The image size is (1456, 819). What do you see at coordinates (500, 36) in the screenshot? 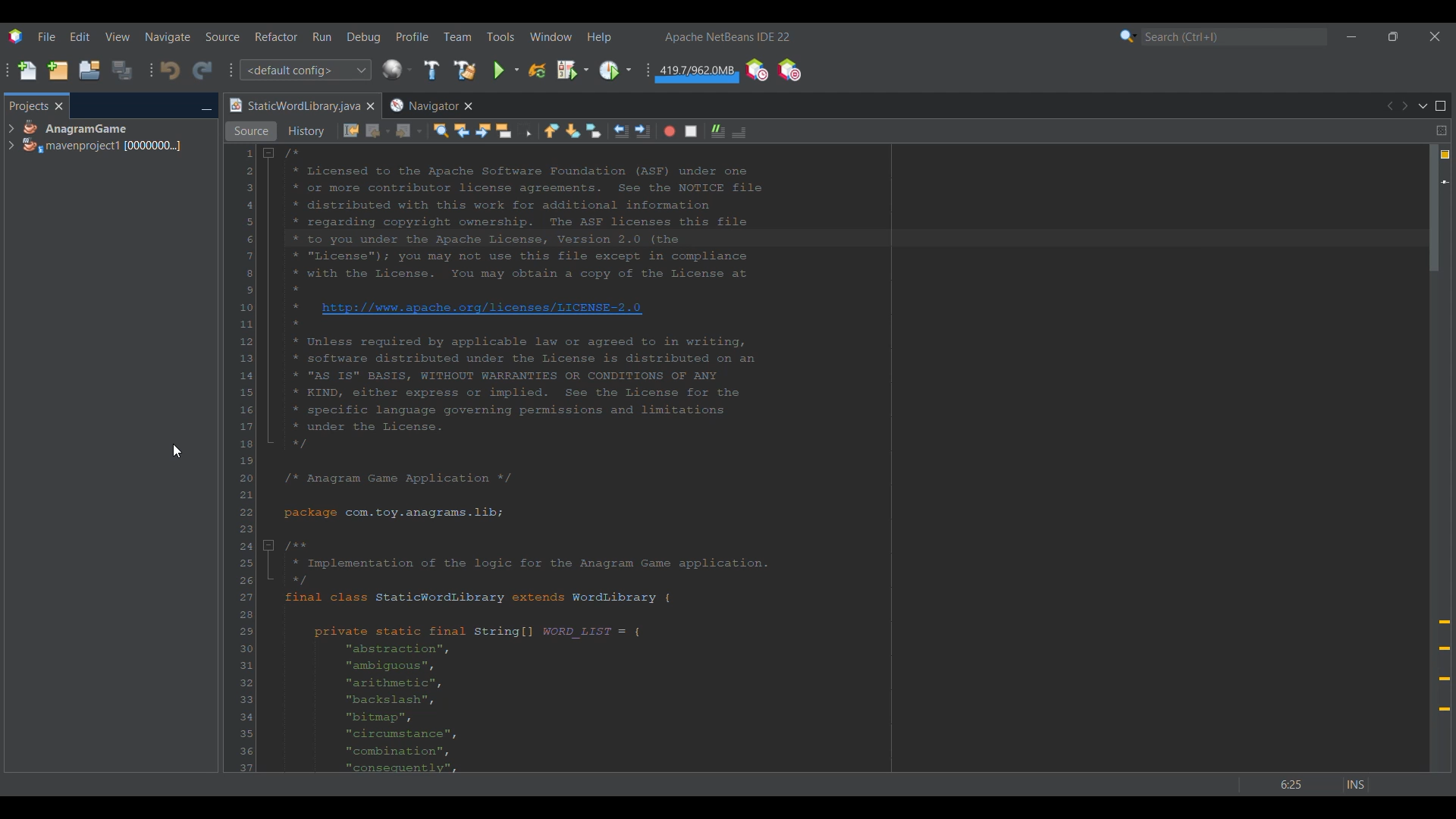
I see `Tools menu` at bounding box center [500, 36].